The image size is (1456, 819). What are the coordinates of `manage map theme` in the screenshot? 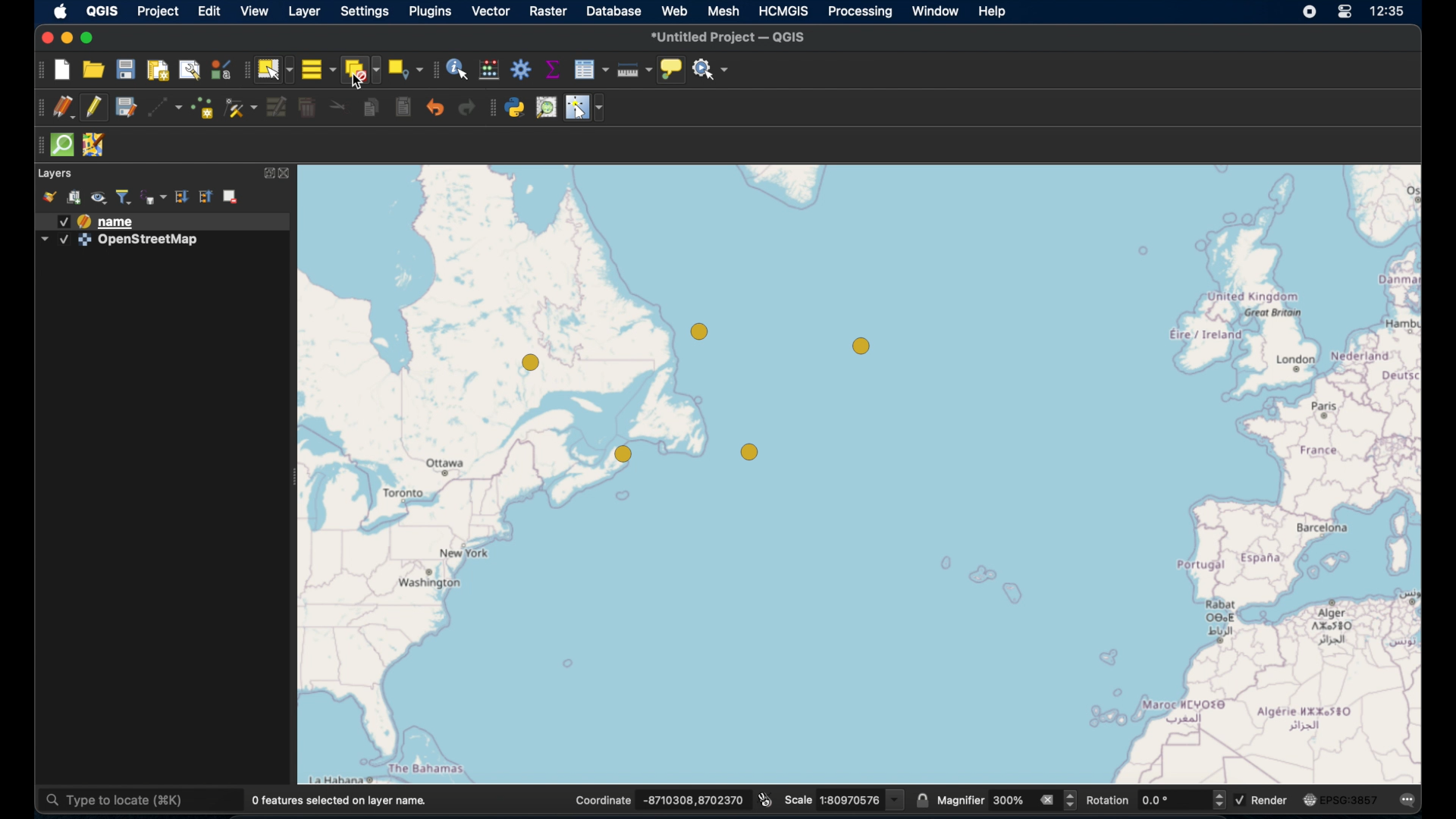 It's located at (99, 199).